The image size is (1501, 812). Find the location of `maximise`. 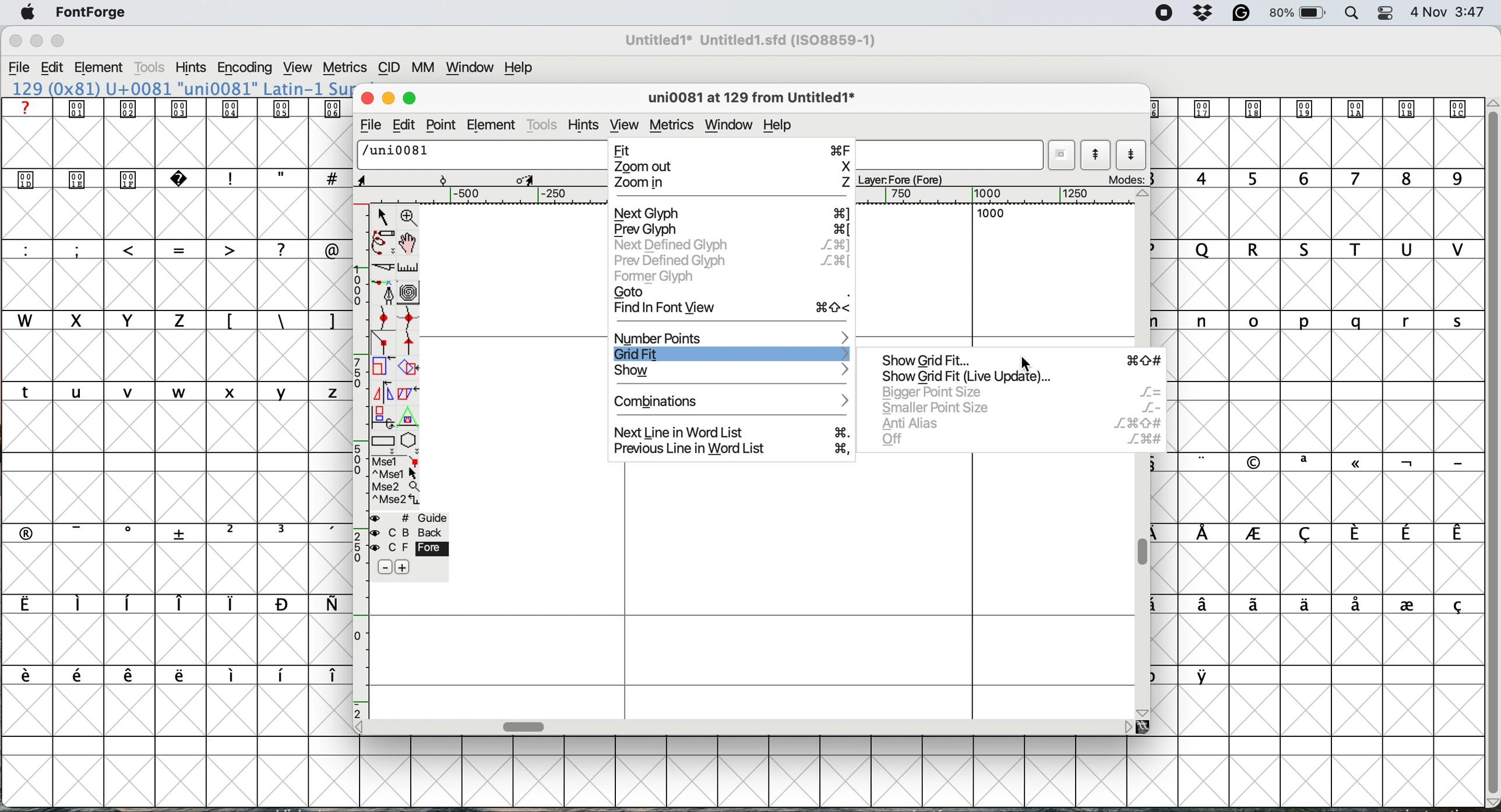

maximise is located at coordinates (409, 98).